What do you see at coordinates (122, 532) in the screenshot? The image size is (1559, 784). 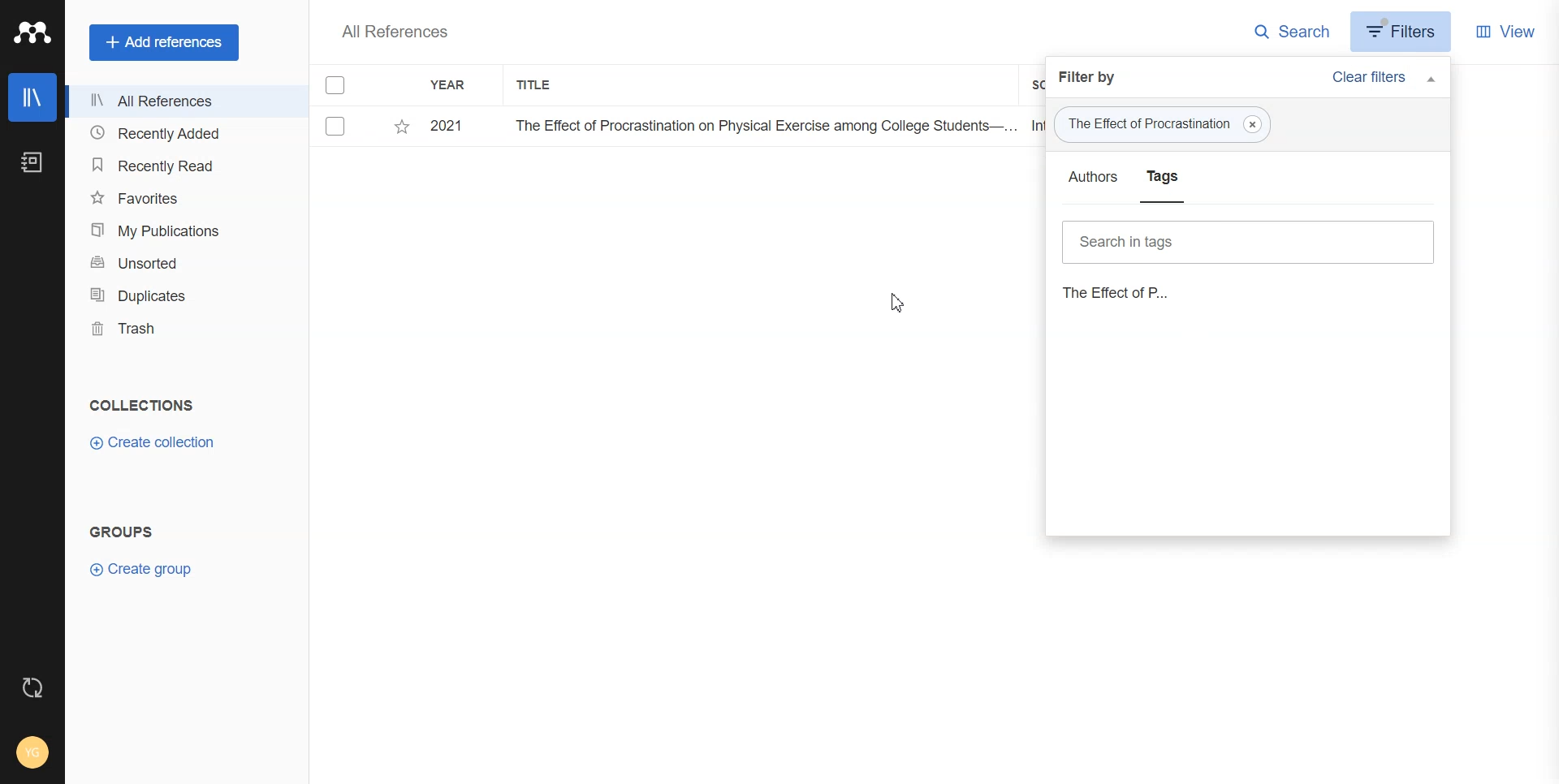 I see `Text` at bounding box center [122, 532].